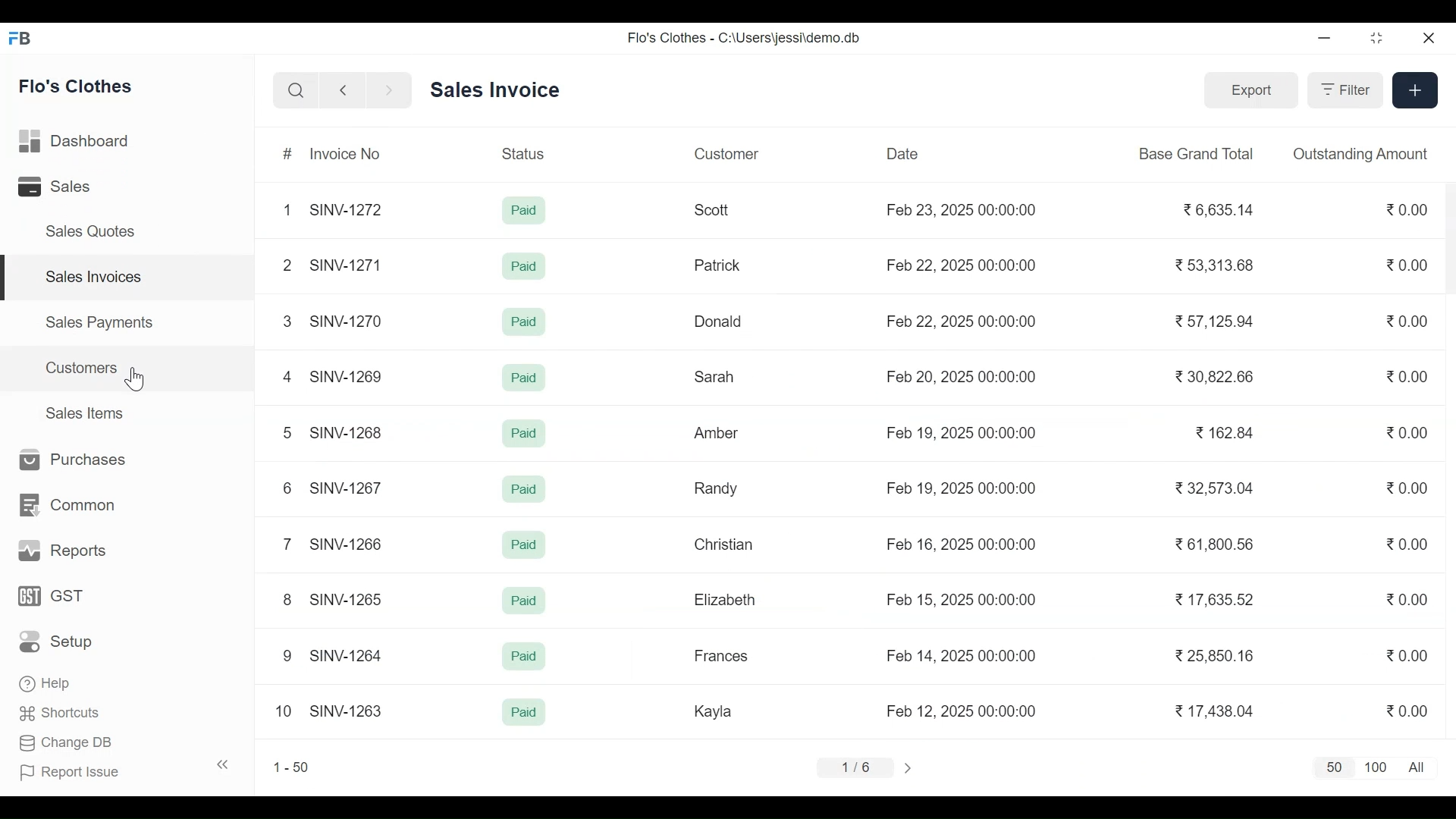 This screenshot has height=819, width=1456. I want to click on Sarah, so click(715, 376).